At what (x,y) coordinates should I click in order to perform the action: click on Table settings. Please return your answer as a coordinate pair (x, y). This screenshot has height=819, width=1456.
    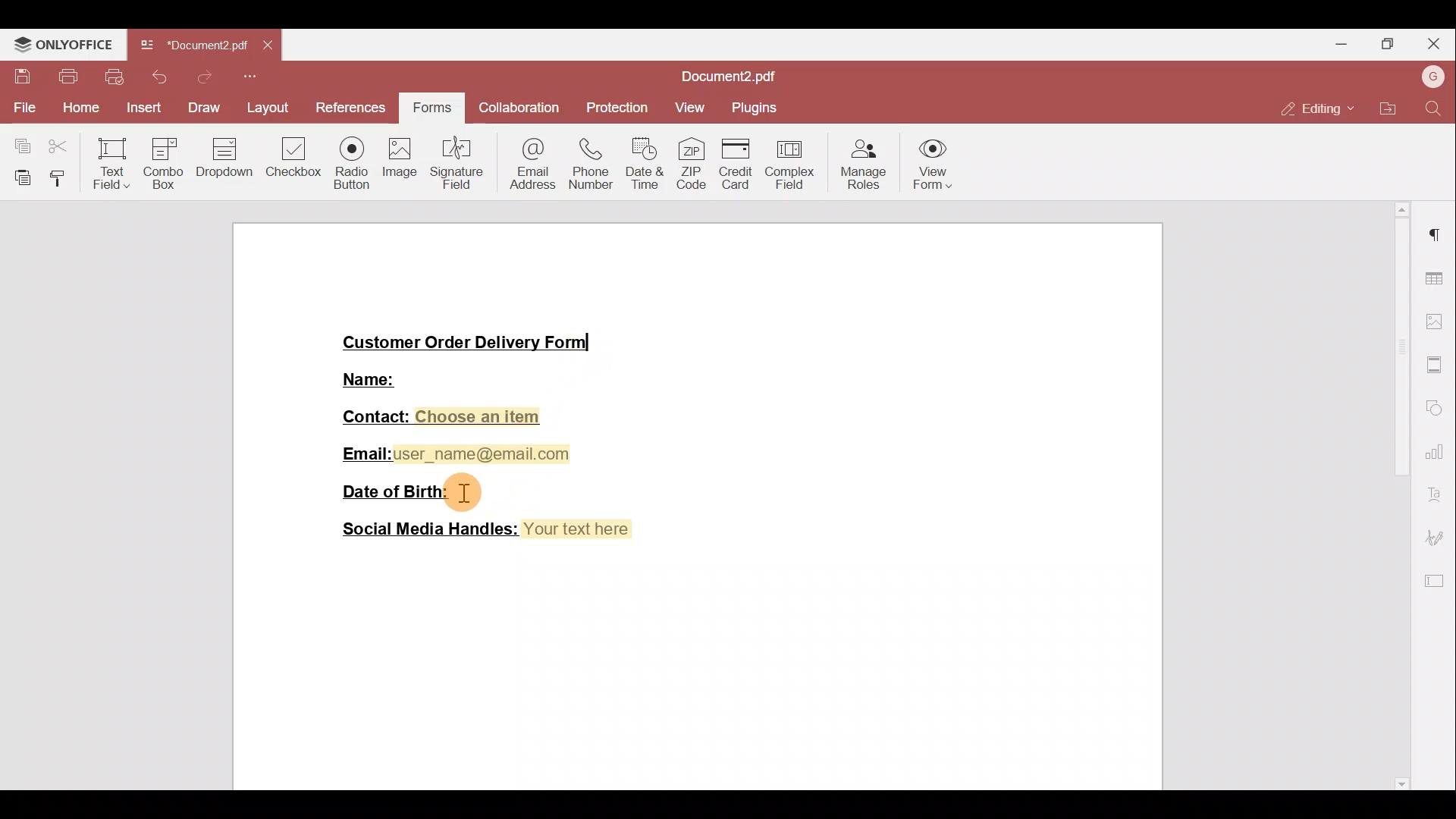
    Looking at the image, I should click on (1438, 279).